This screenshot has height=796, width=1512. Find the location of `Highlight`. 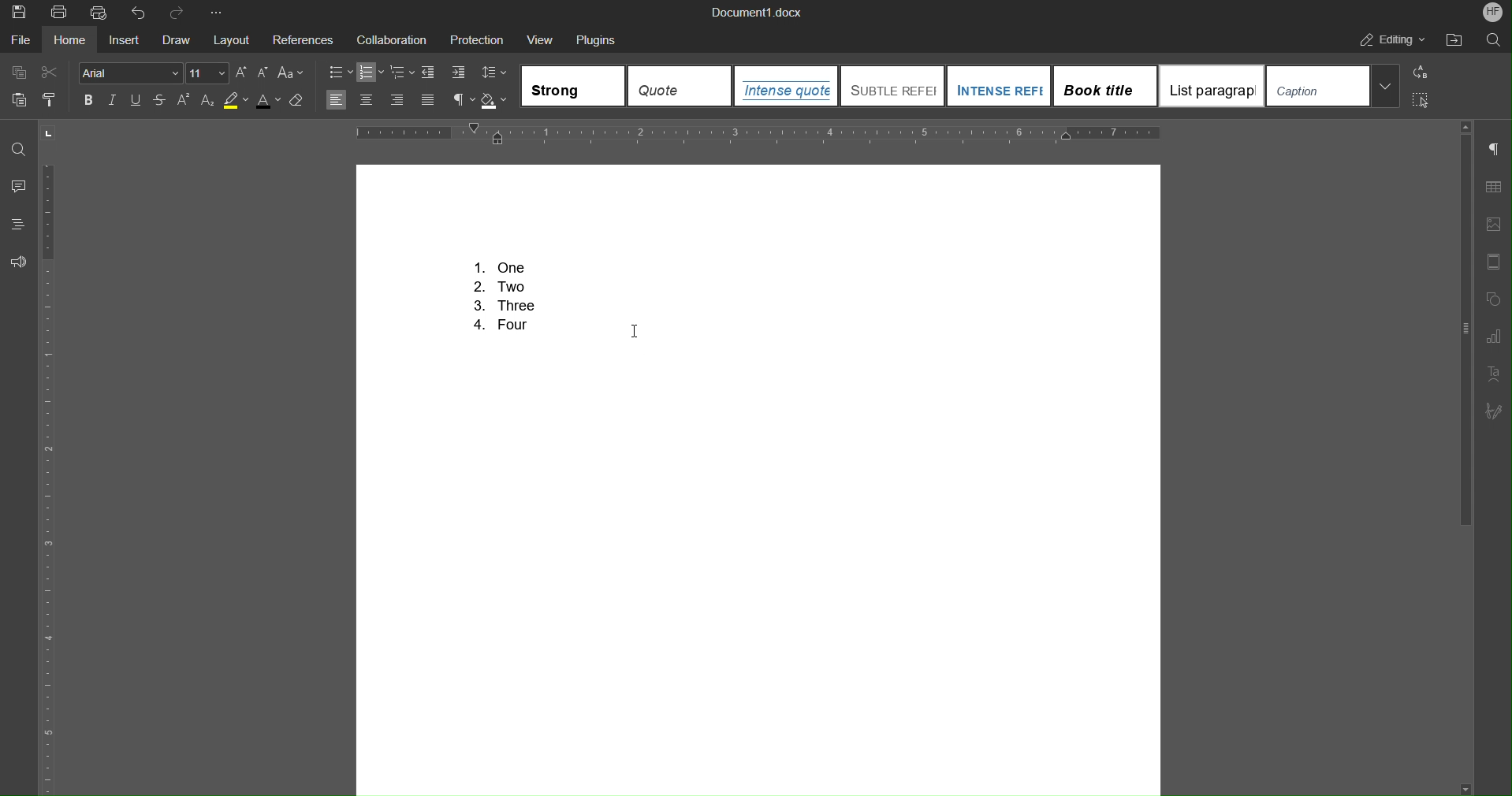

Highlight is located at coordinates (234, 102).